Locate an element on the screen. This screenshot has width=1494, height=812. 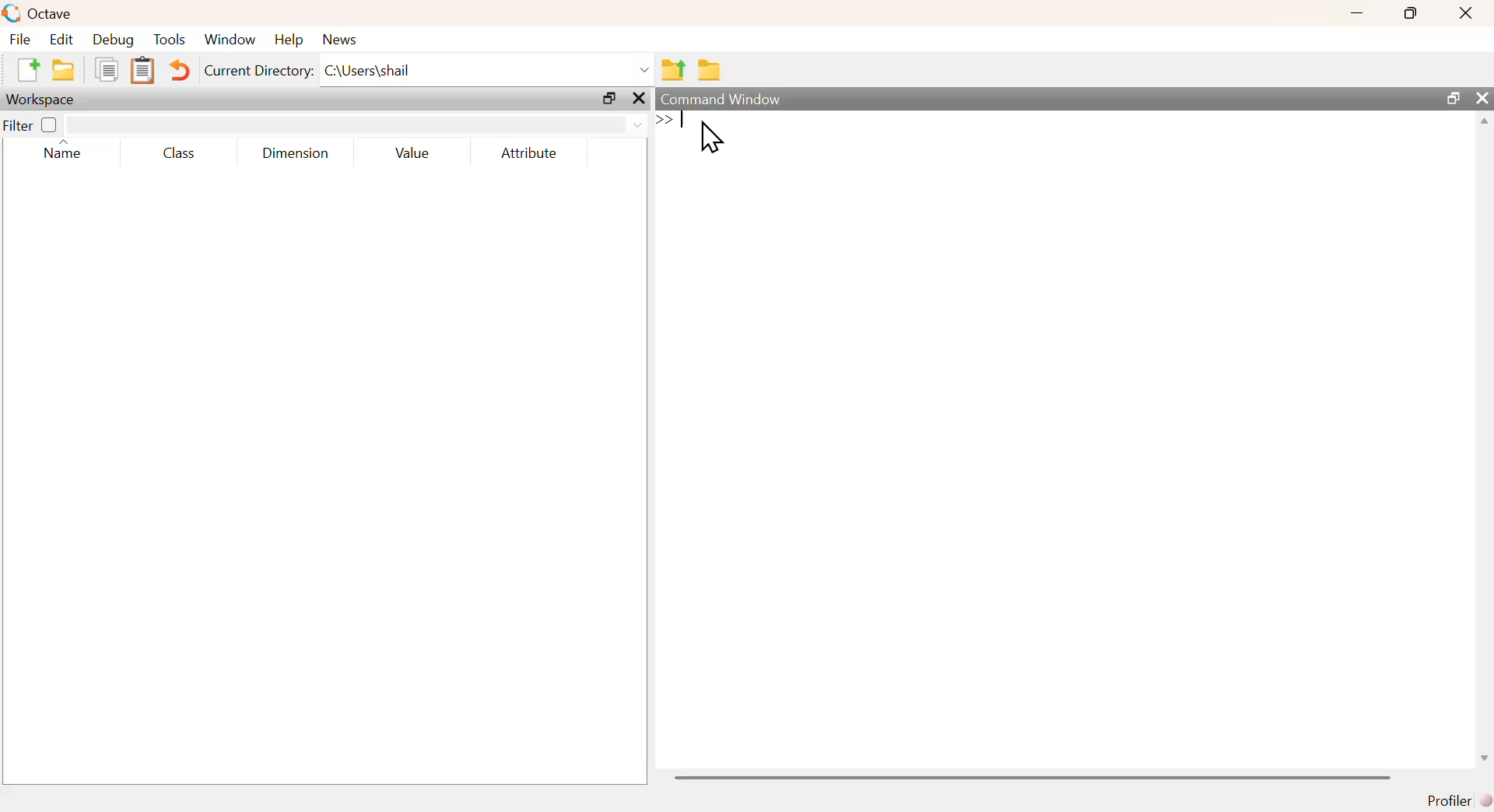
open an existing file in editor is located at coordinates (65, 70).